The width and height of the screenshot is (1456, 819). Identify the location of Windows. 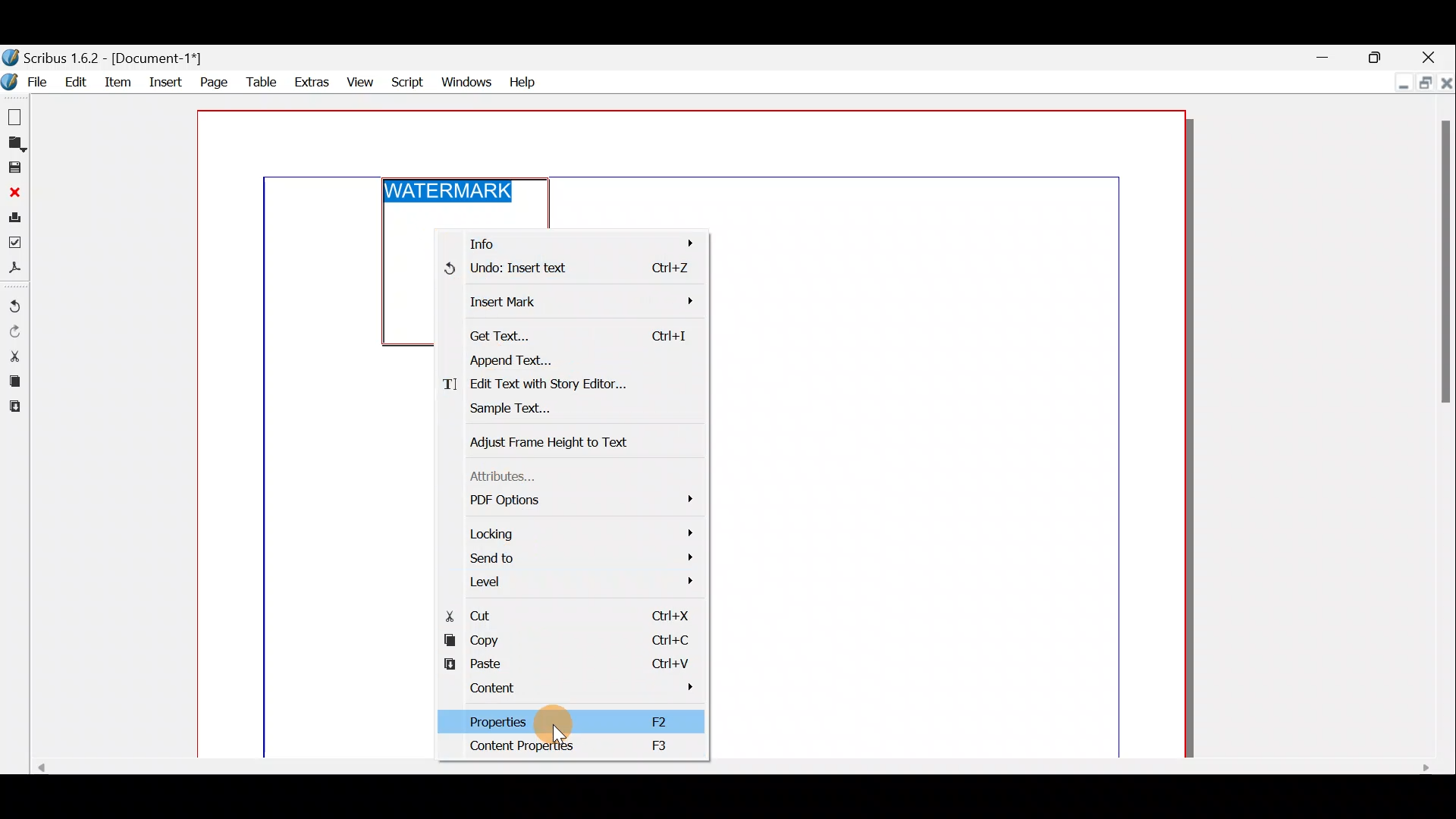
(466, 80).